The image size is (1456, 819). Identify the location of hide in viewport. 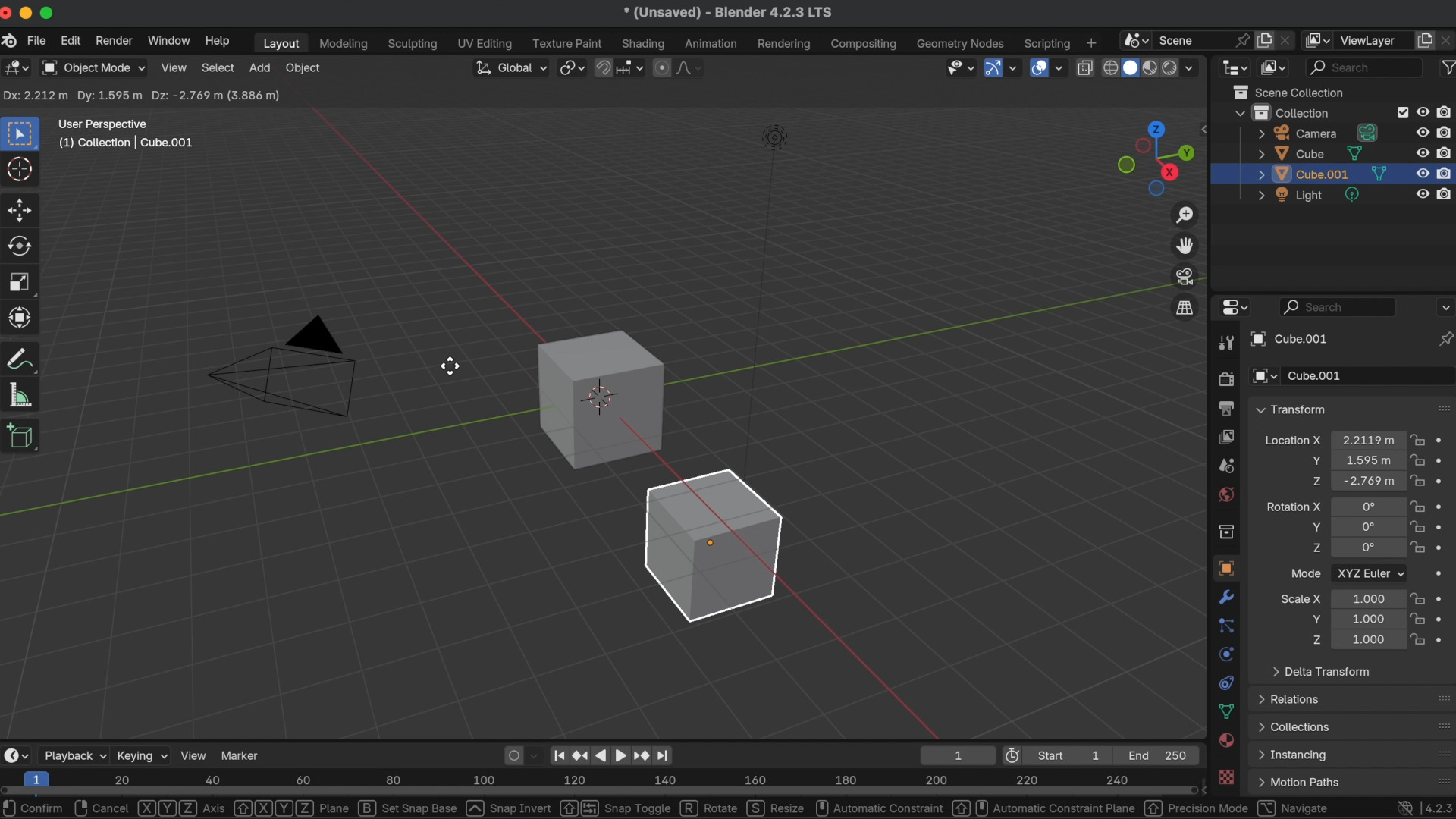
(1423, 131).